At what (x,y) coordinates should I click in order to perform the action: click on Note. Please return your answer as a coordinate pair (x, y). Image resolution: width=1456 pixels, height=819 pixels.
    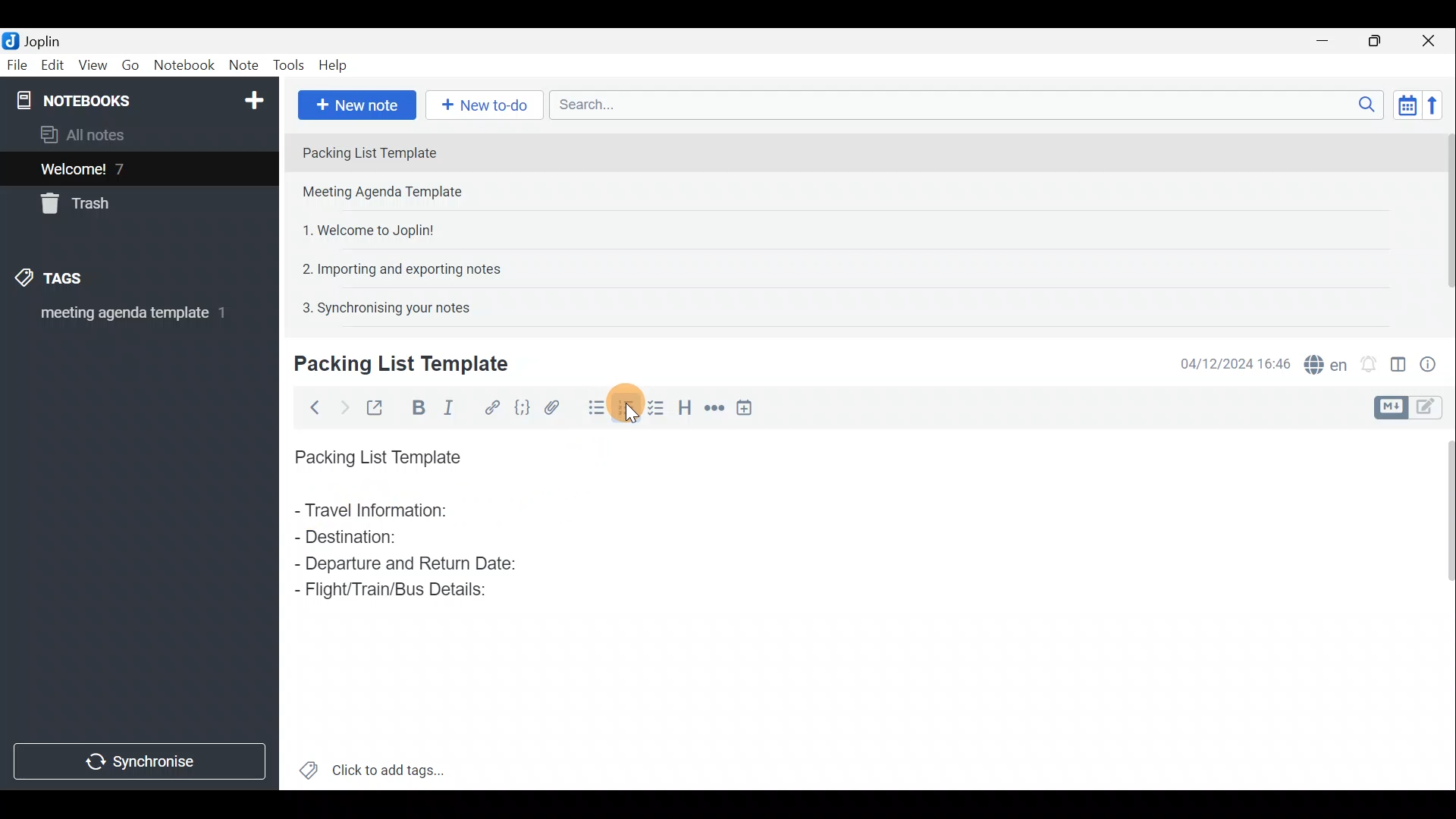
    Looking at the image, I should click on (243, 66).